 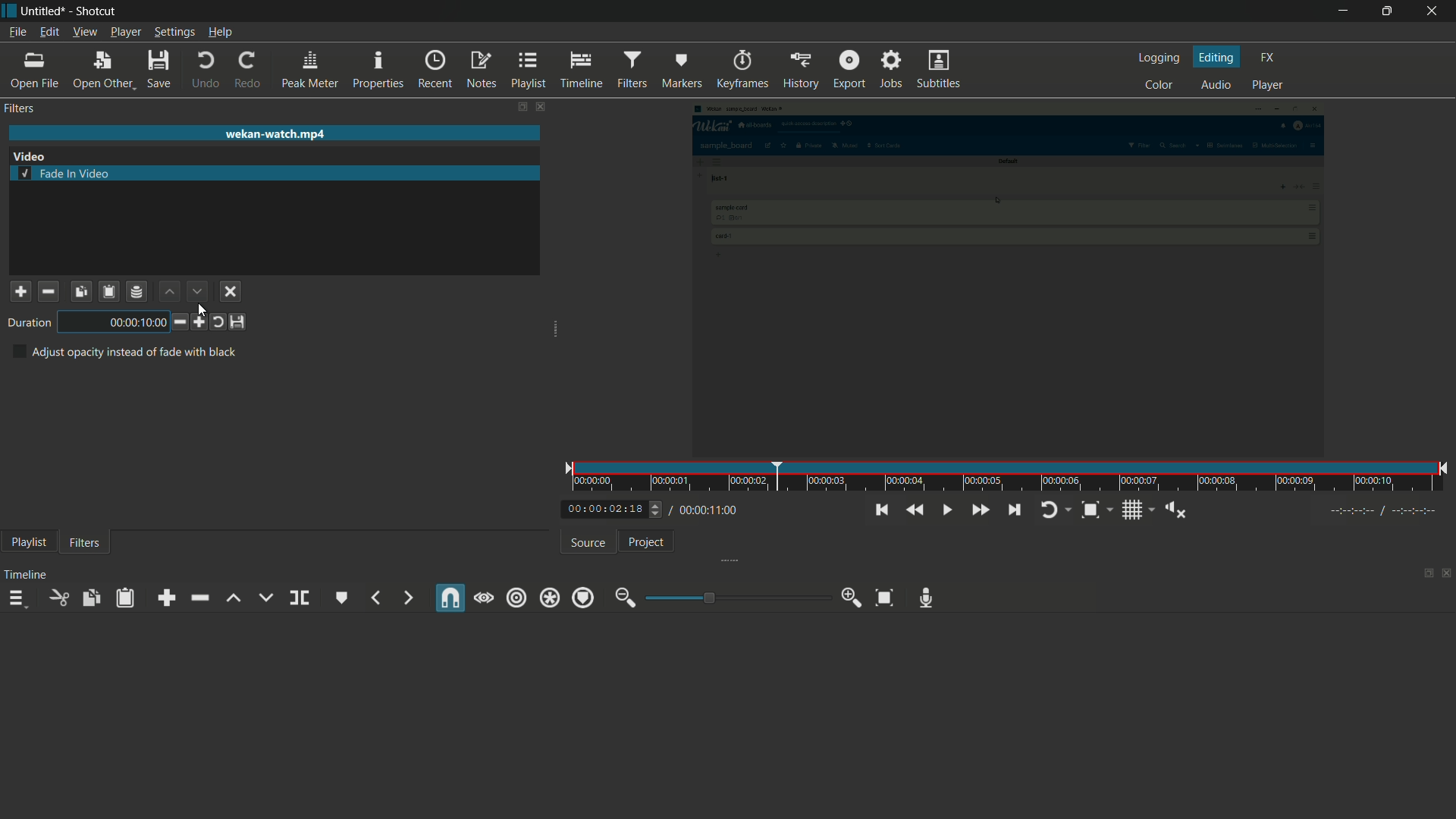 What do you see at coordinates (1159, 85) in the screenshot?
I see `color` at bounding box center [1159, 85].